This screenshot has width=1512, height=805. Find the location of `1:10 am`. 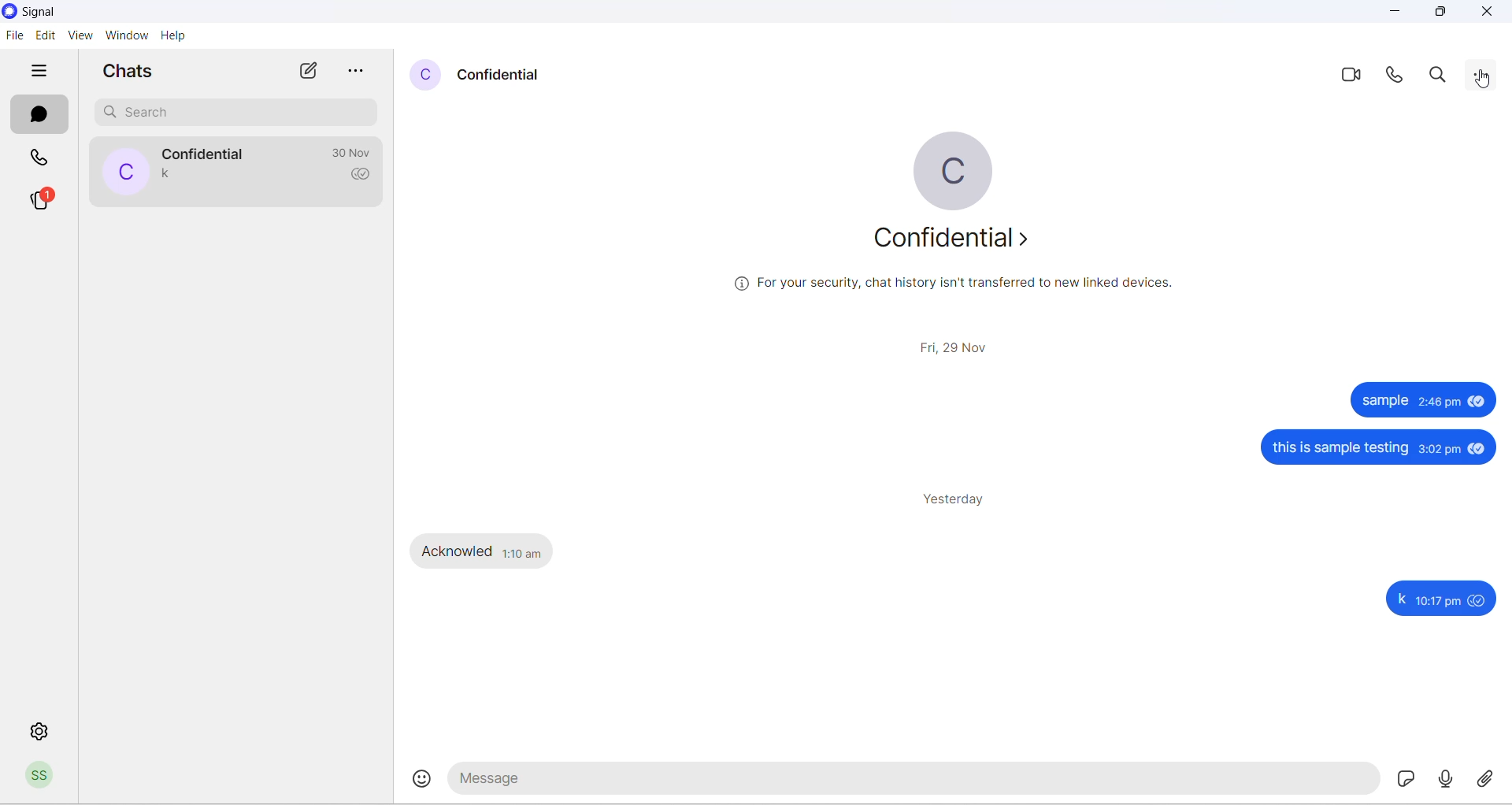

1:10 am is located at coordinates (523, 551).